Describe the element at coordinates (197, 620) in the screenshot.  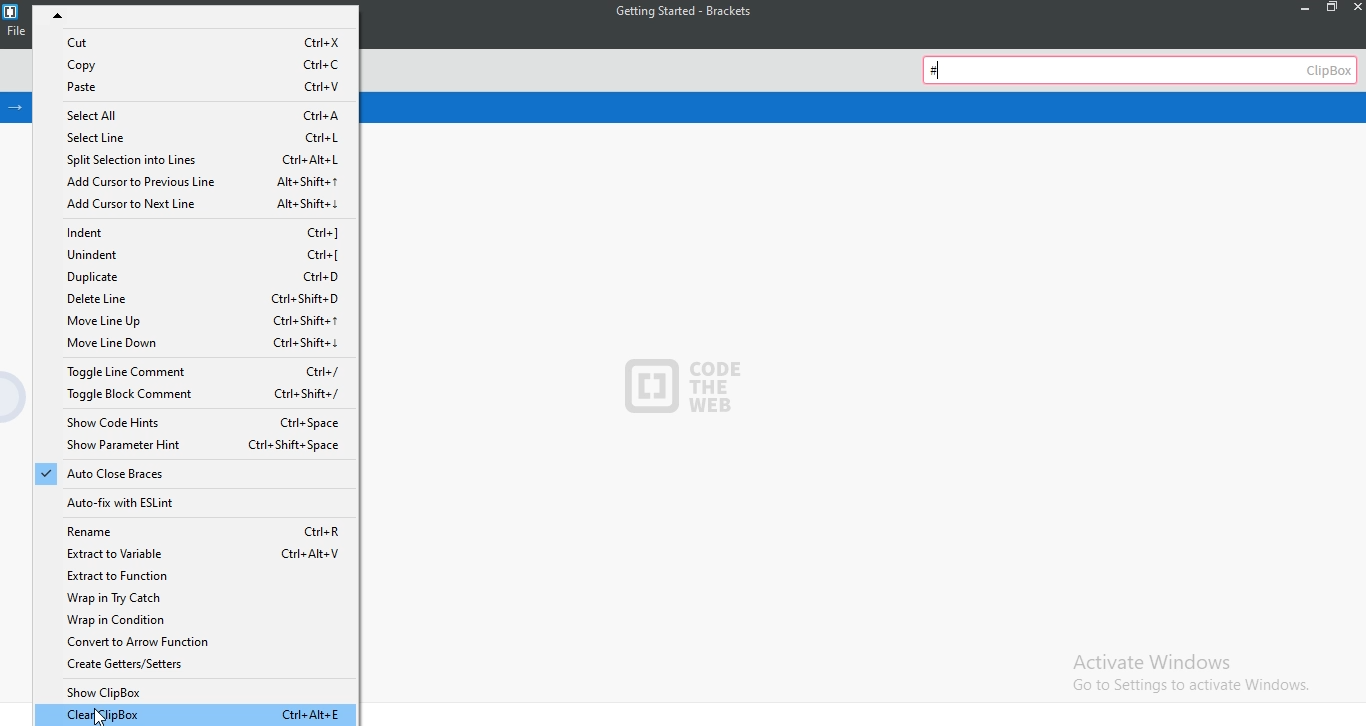
I see `Wrap in Condition` at that location.